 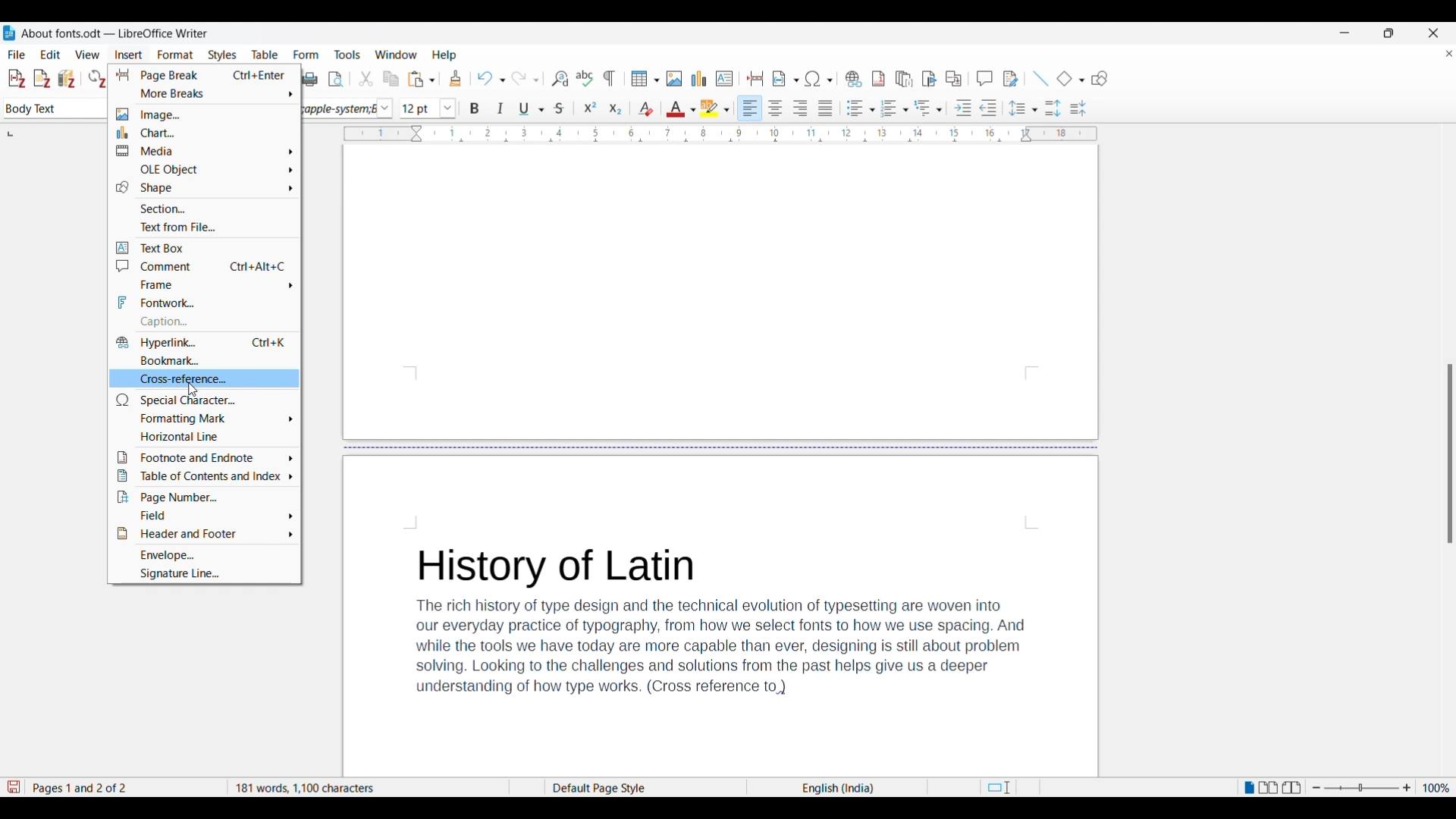 What do you see at coordinates (616, 109) in the screenshot?
I see `Subscript` at bounding box center [616, 109].